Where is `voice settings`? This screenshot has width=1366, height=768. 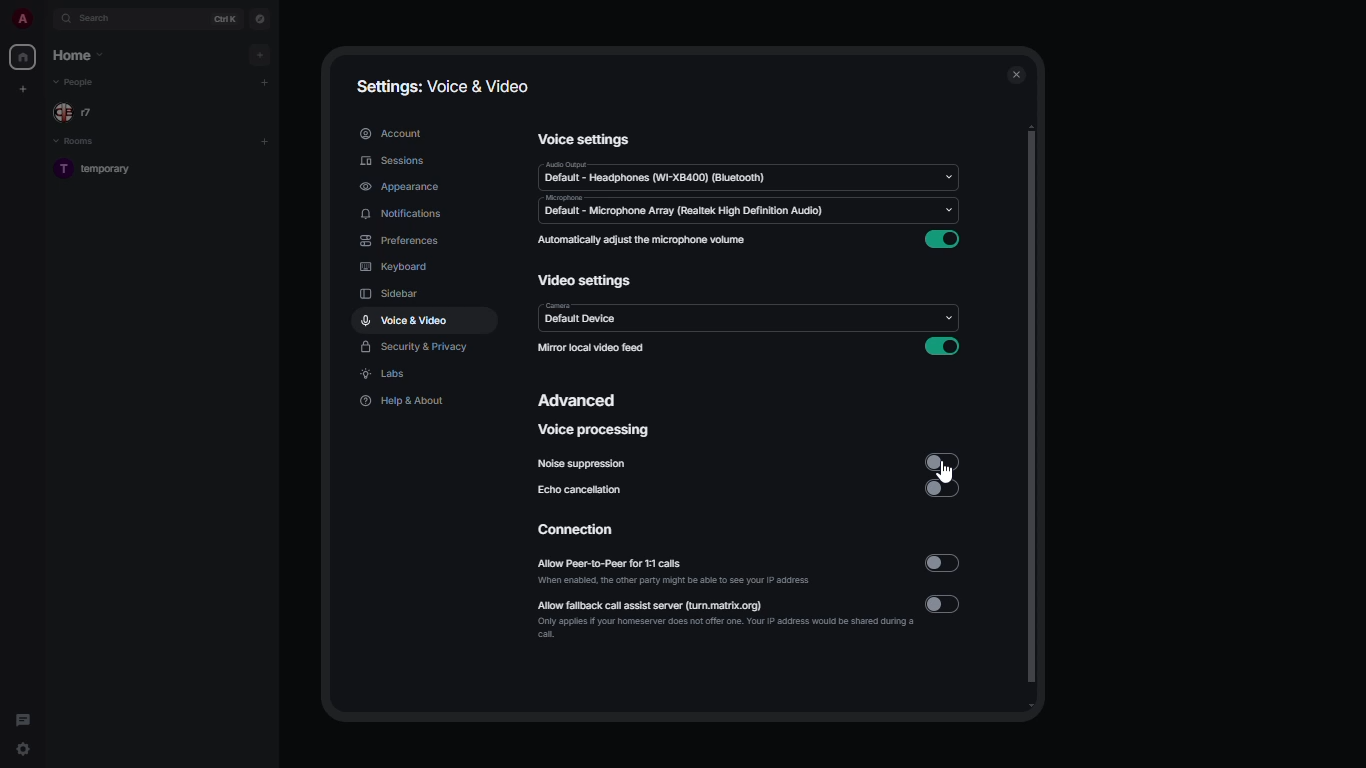
voice settings is located at coordinates (586, 140).